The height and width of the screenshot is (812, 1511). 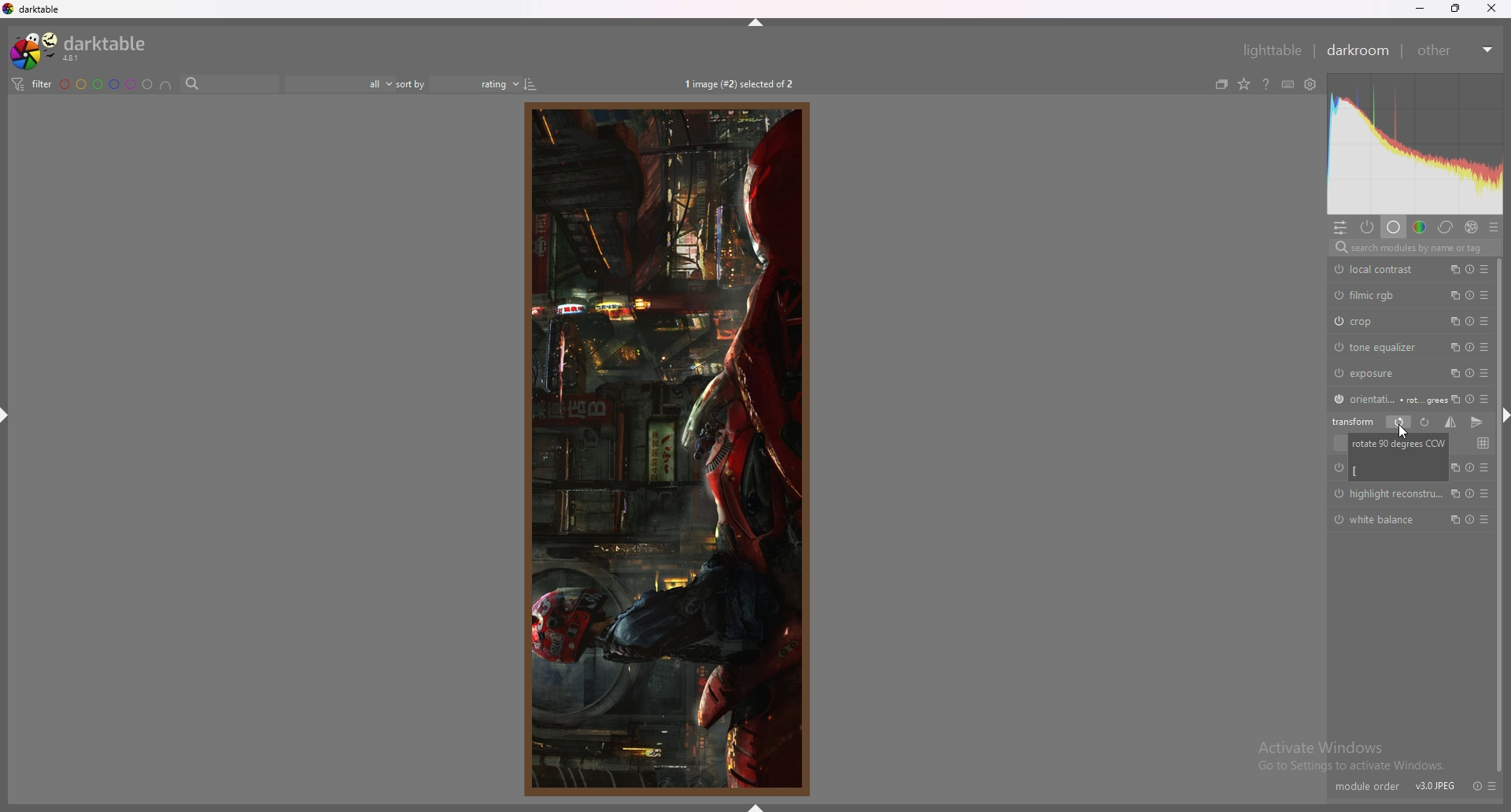 I want to click on multiple instances action, so click(x=1454, y=519).